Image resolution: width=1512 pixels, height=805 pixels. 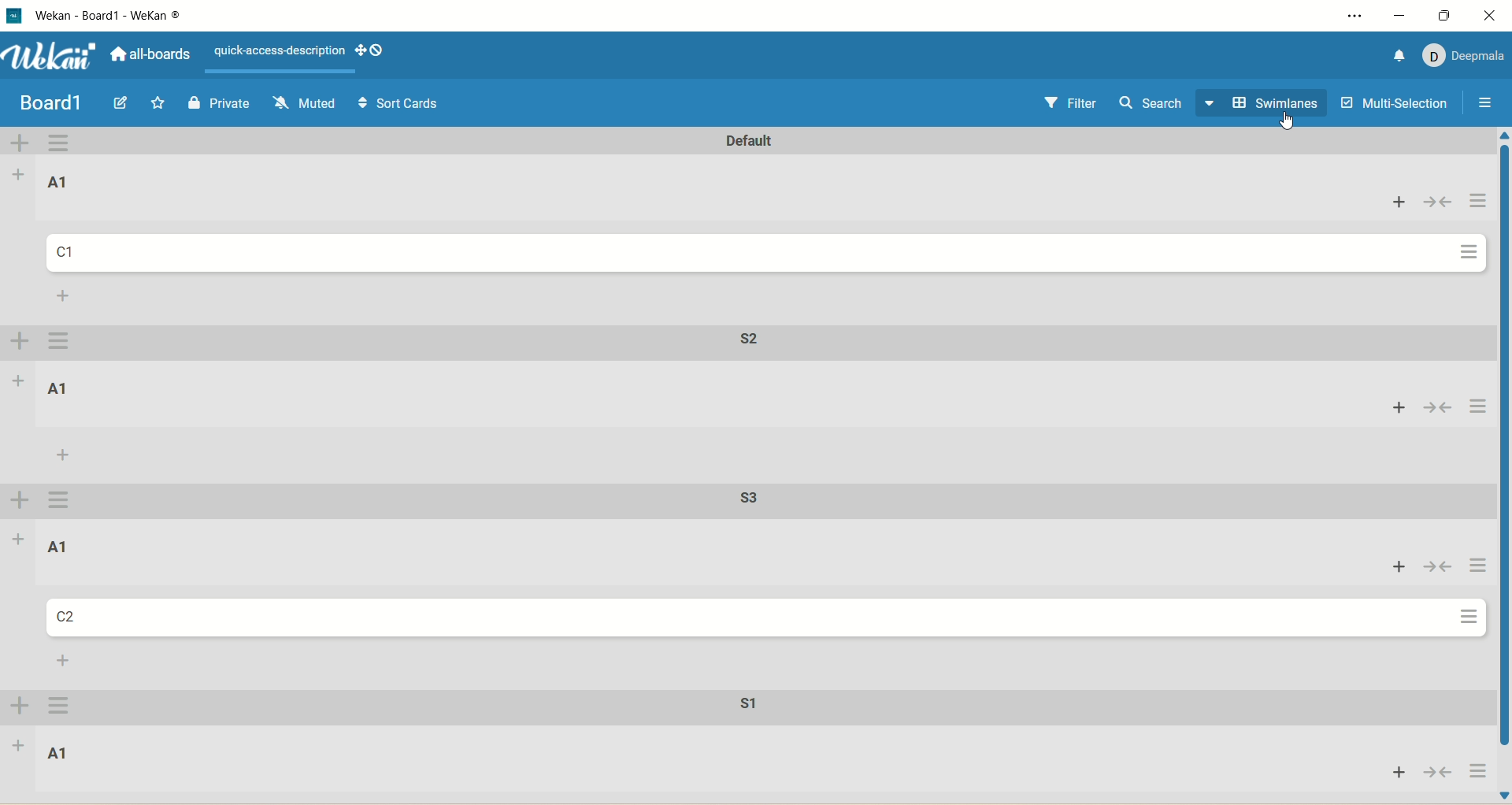 I want to click on actions, so click(x=64, y=708).